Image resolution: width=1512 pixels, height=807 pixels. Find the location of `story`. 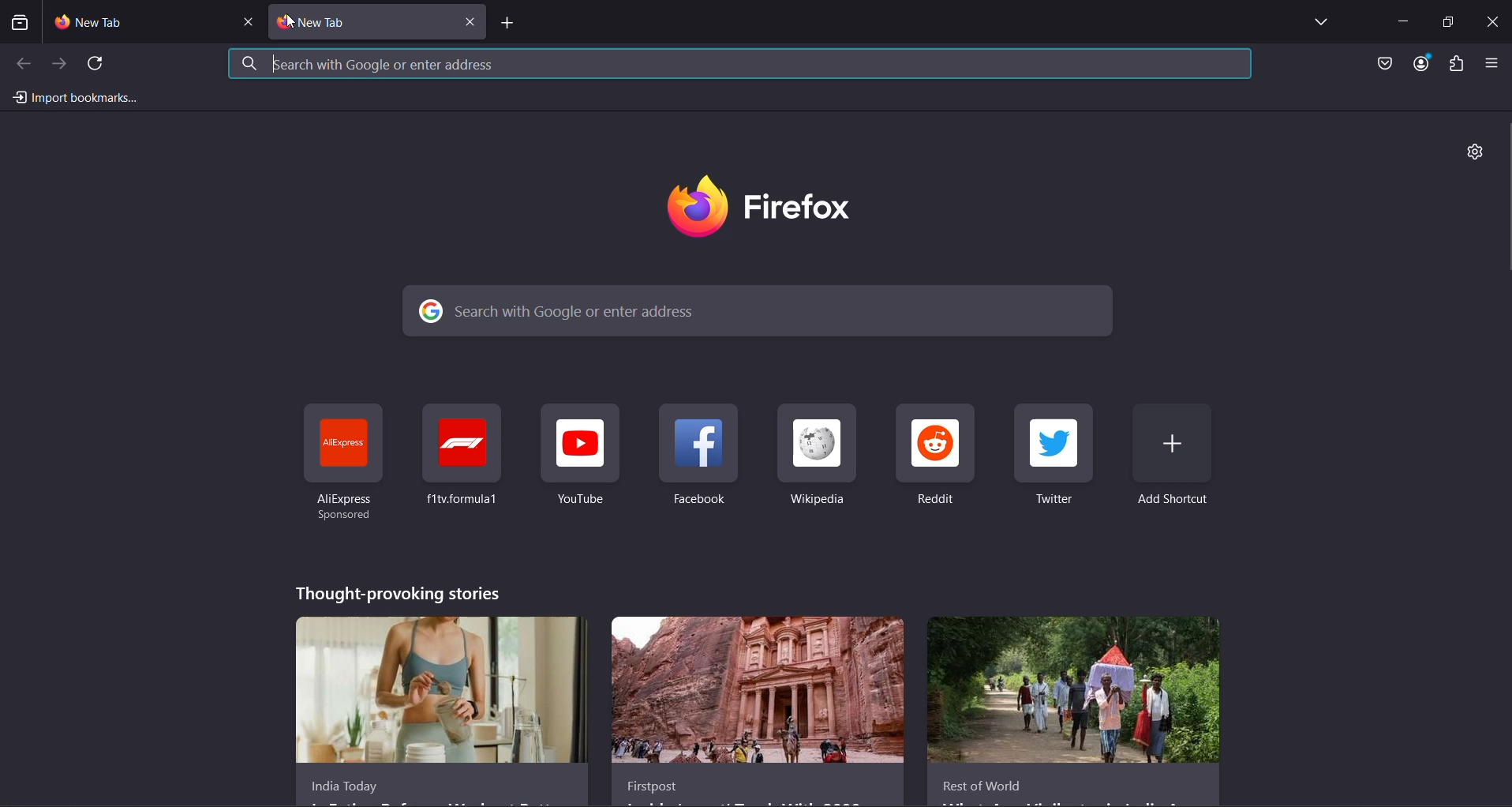

story is located at coordinates (1076, 712).